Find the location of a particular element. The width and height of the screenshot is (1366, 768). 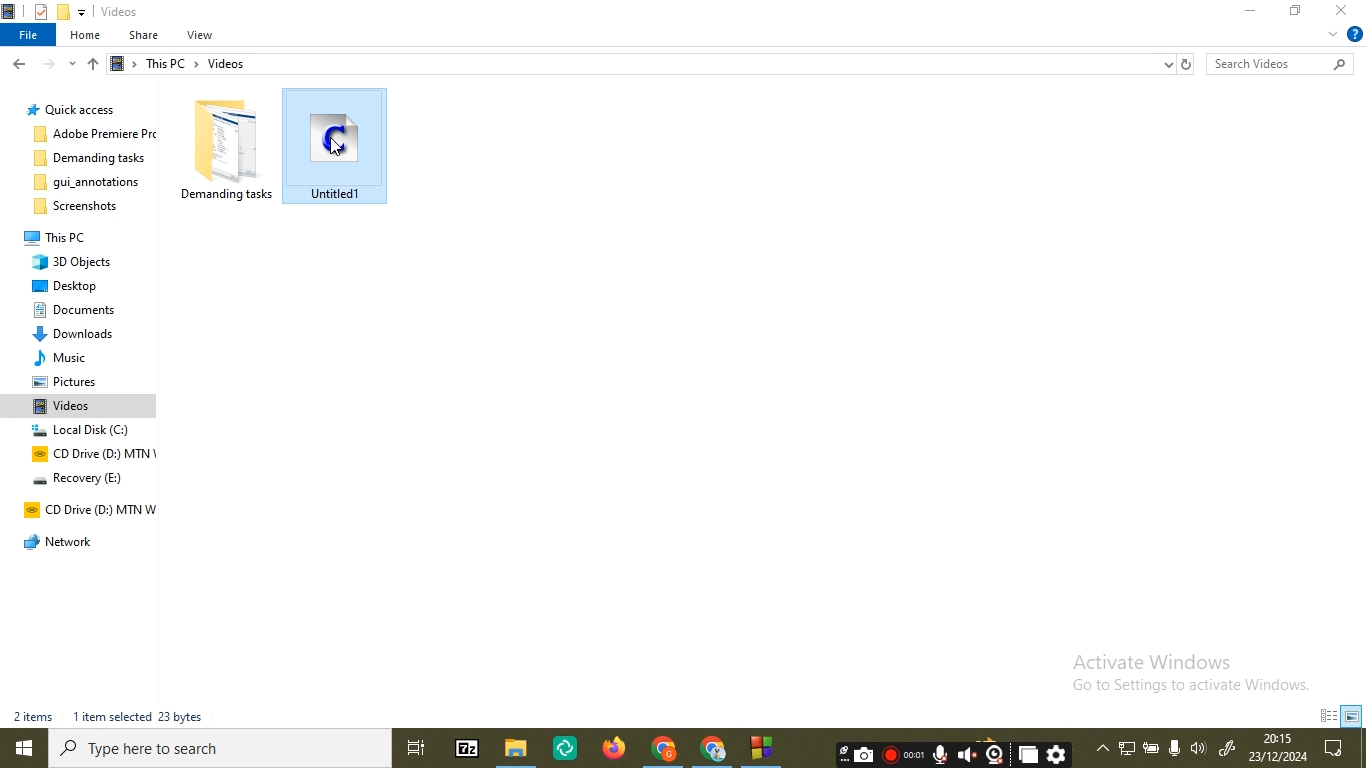

folder is located at coordinates (79, 334).